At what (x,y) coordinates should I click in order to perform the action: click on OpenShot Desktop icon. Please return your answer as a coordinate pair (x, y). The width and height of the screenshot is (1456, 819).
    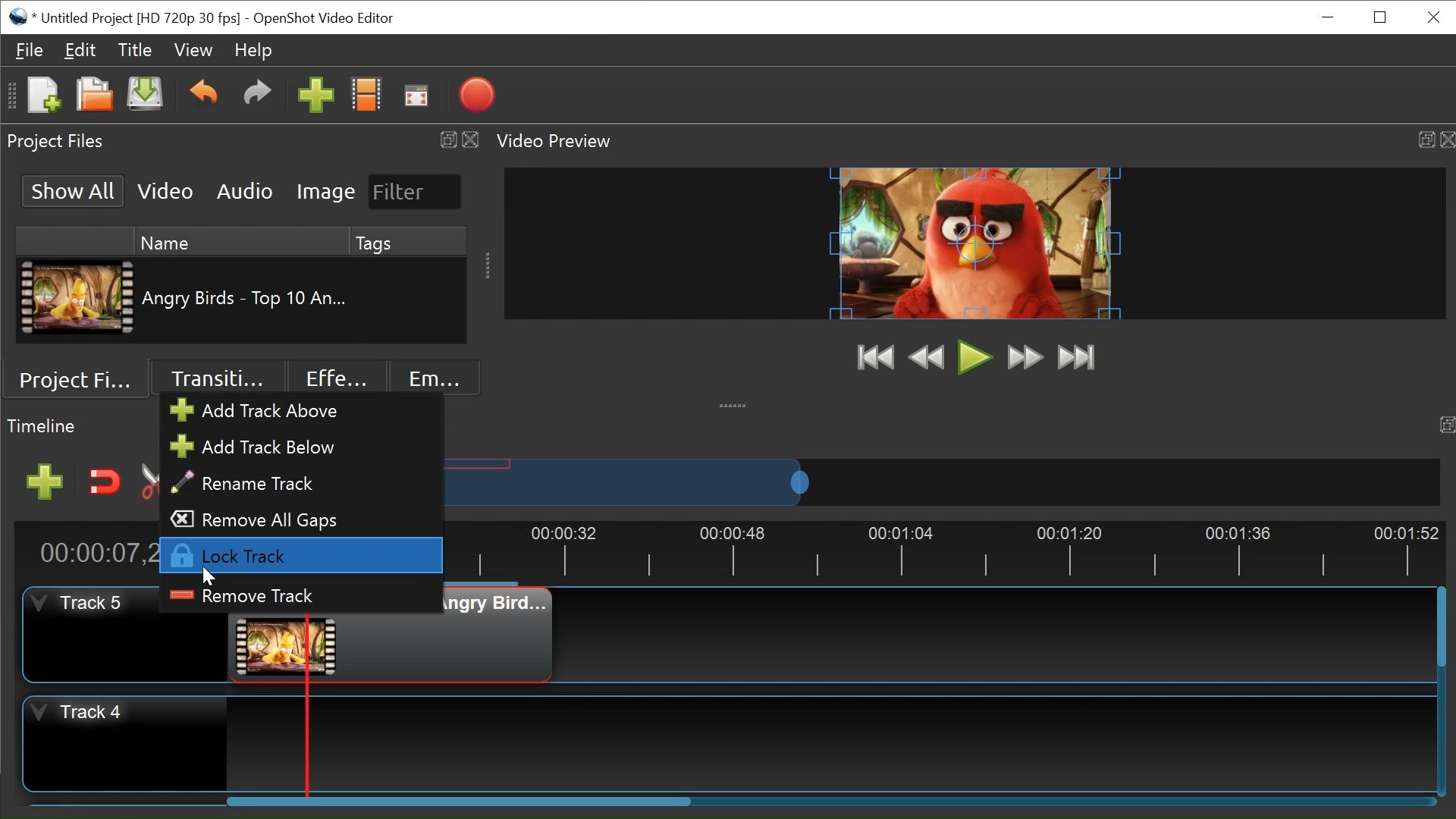
    Looking at the image, I should click on (21, 17).